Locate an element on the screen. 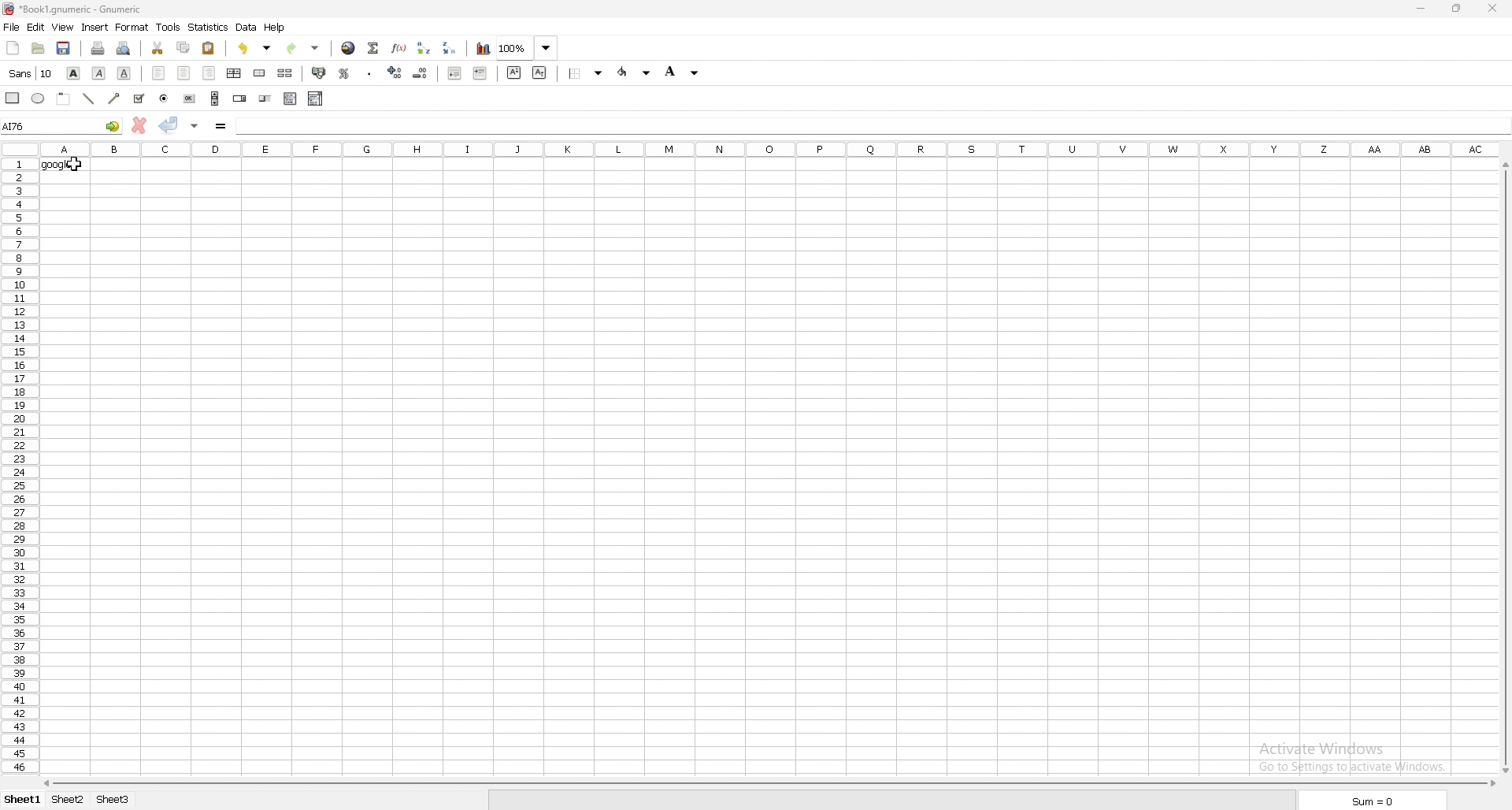 The height and width of the screenshot is (810, 1512). ellipse is located at coordinates (39, 98).